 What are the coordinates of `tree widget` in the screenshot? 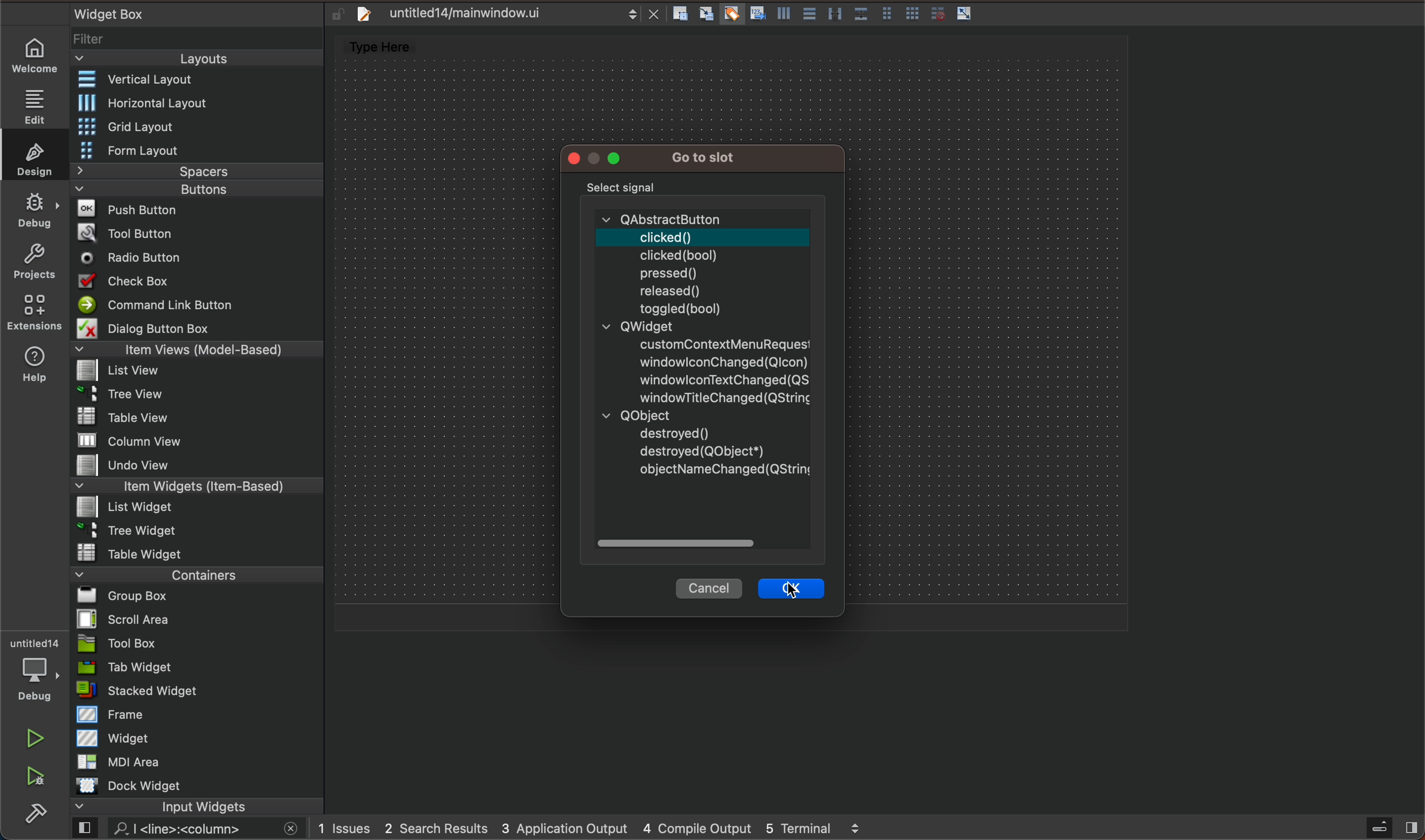 It's located at (198, 531).